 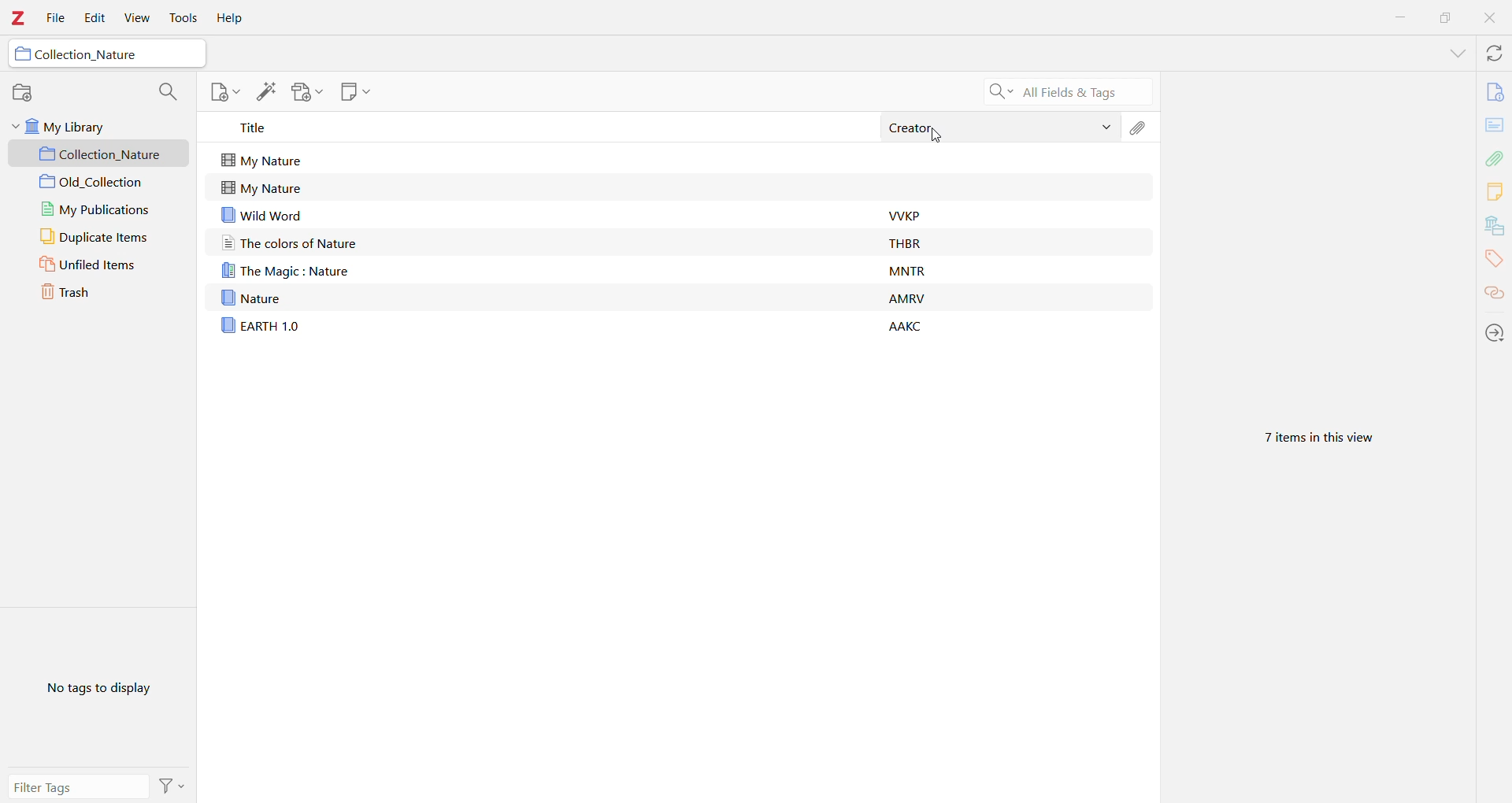 I want to click on Collapse Section, so click(x=14, y=126).